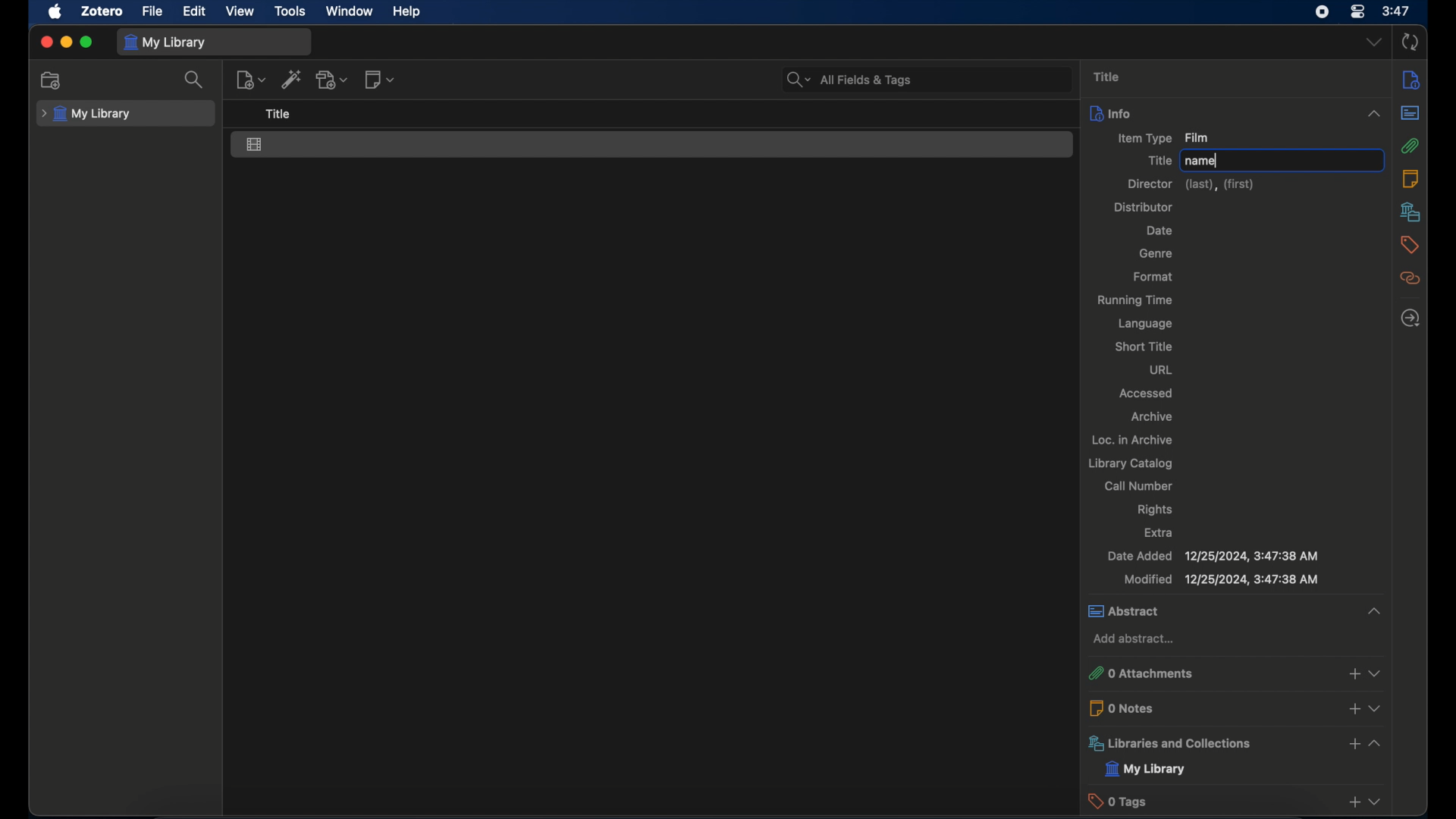 This screenshot has height=819, width=1456. Describe the element at coordinates (255, 145) in the screenshot. I see `film` at that location.